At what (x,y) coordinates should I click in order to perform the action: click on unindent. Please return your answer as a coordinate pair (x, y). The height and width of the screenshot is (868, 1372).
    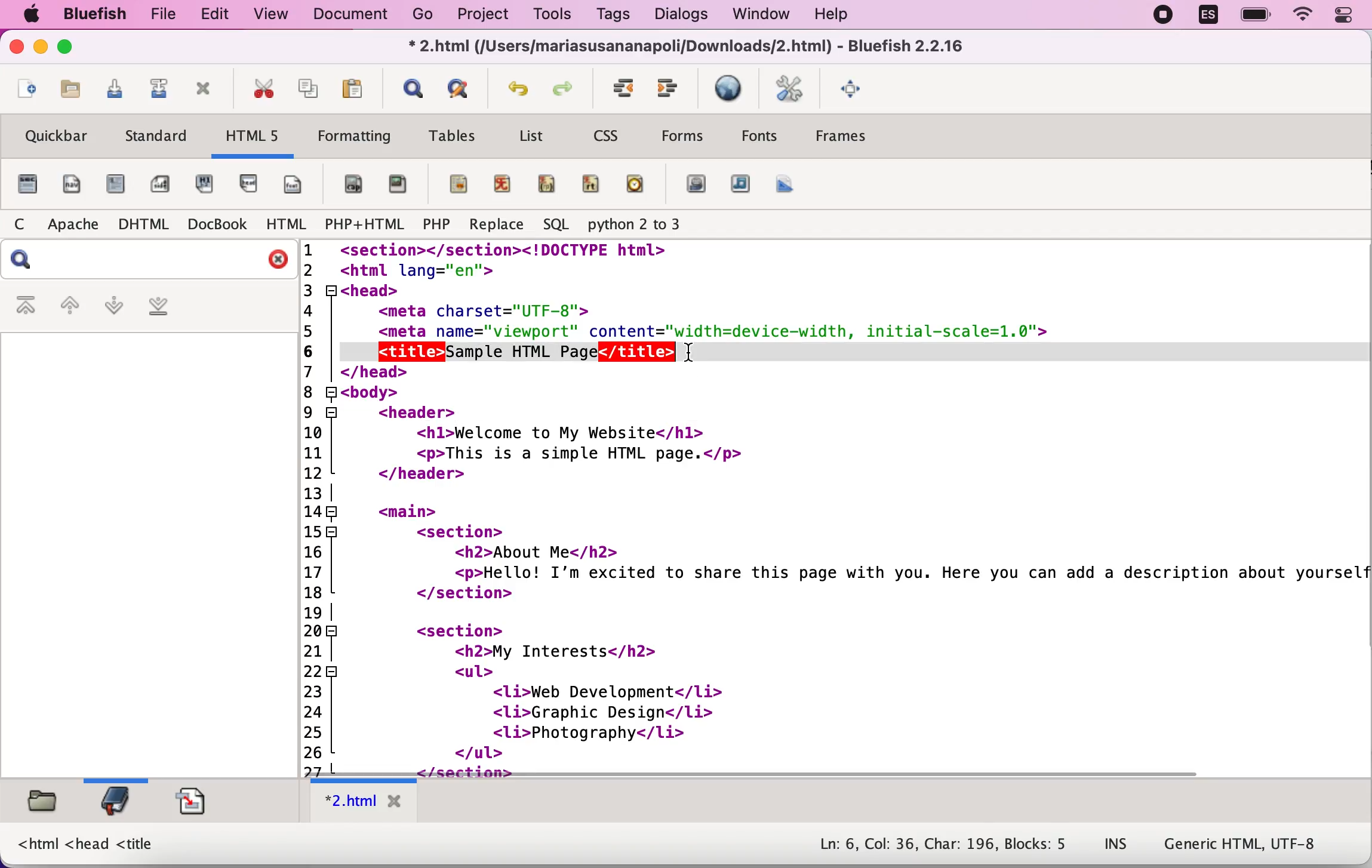
    Looking at the image, I should click on (622, 88).